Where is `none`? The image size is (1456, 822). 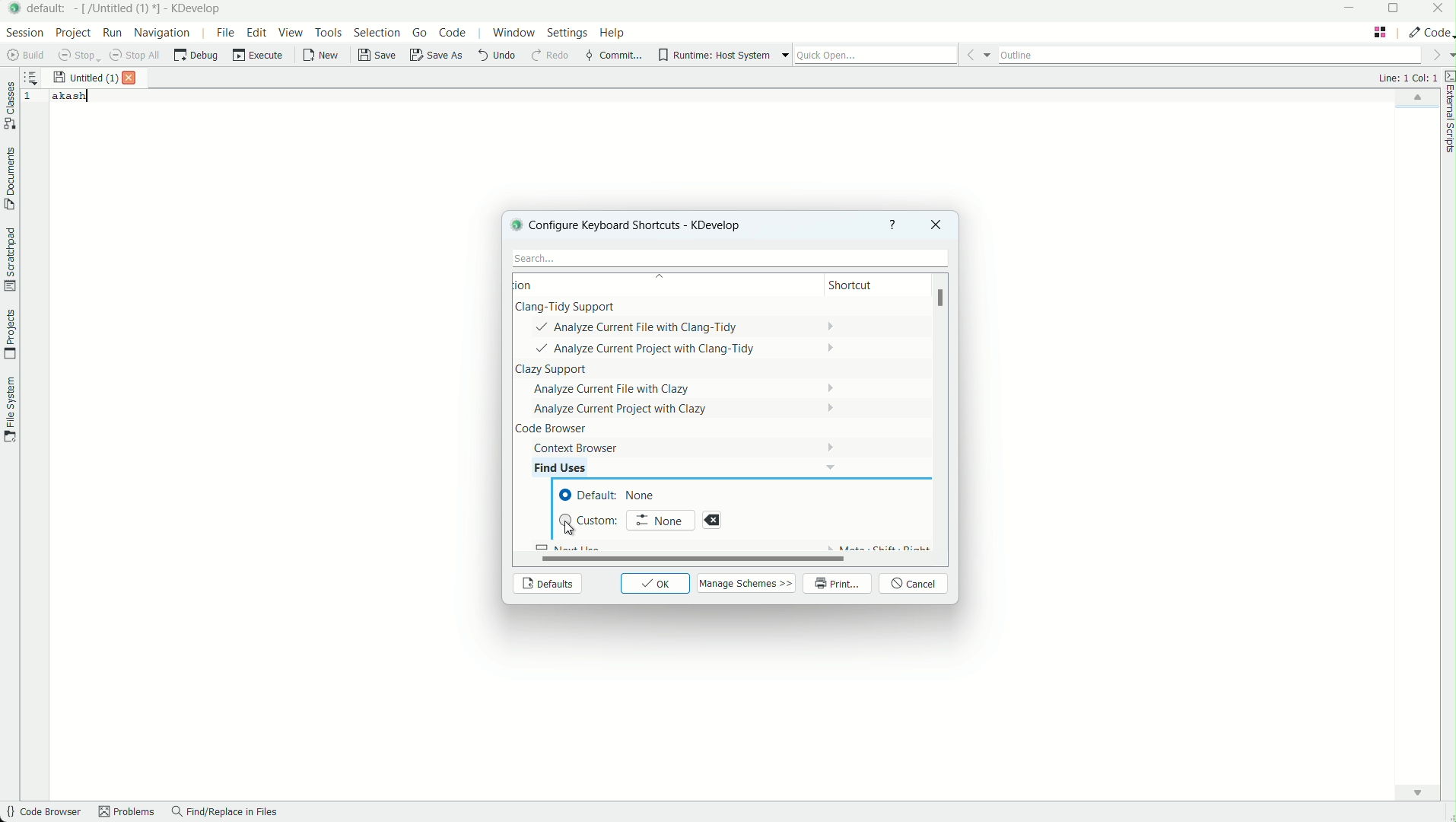
none is located at coordinates (660, 519).